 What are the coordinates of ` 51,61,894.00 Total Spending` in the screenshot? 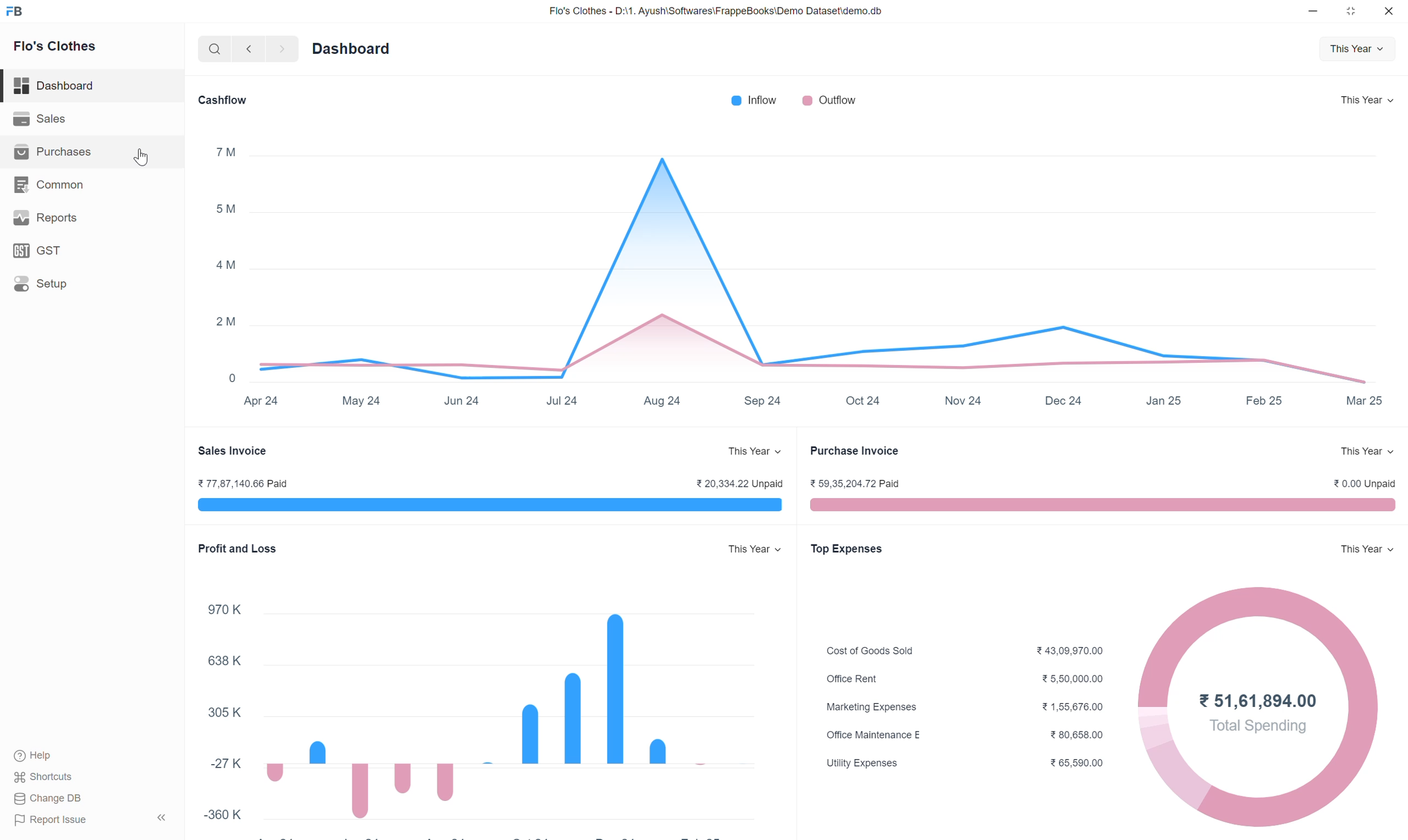 It's located at (1259, 713).